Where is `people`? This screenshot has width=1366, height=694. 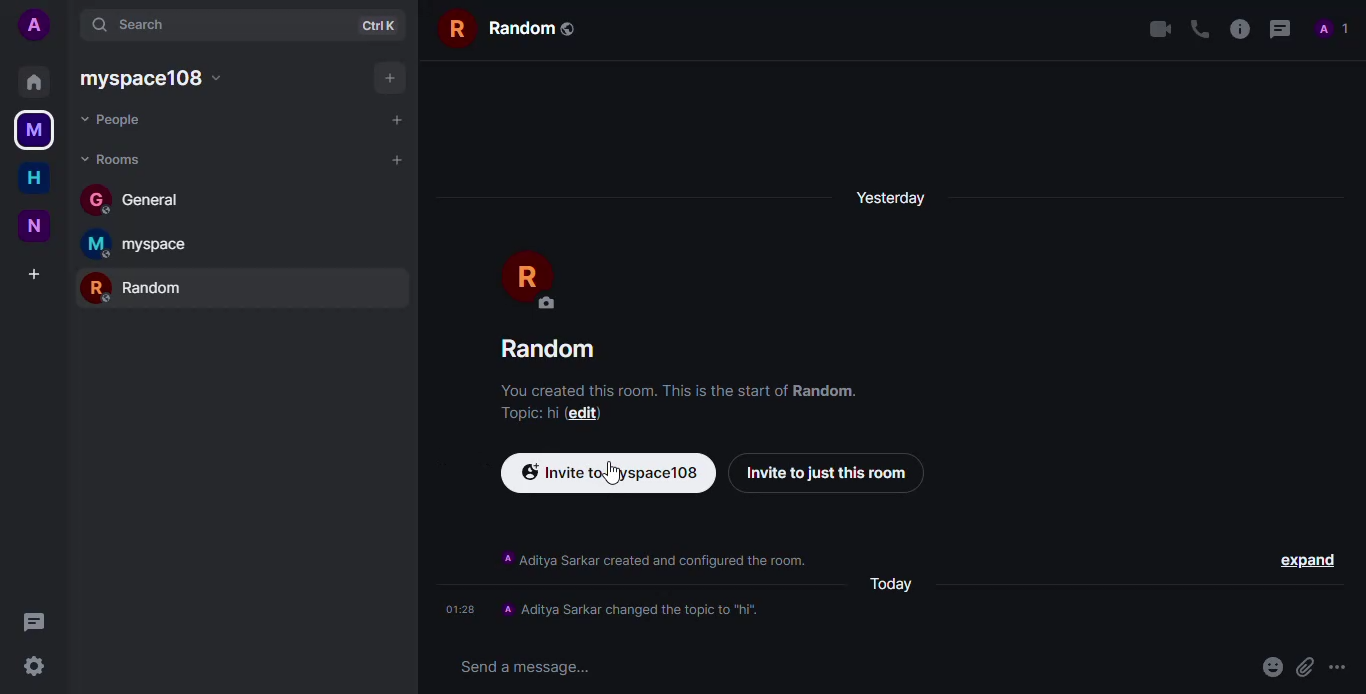
people is located at coordinates (127, 118).